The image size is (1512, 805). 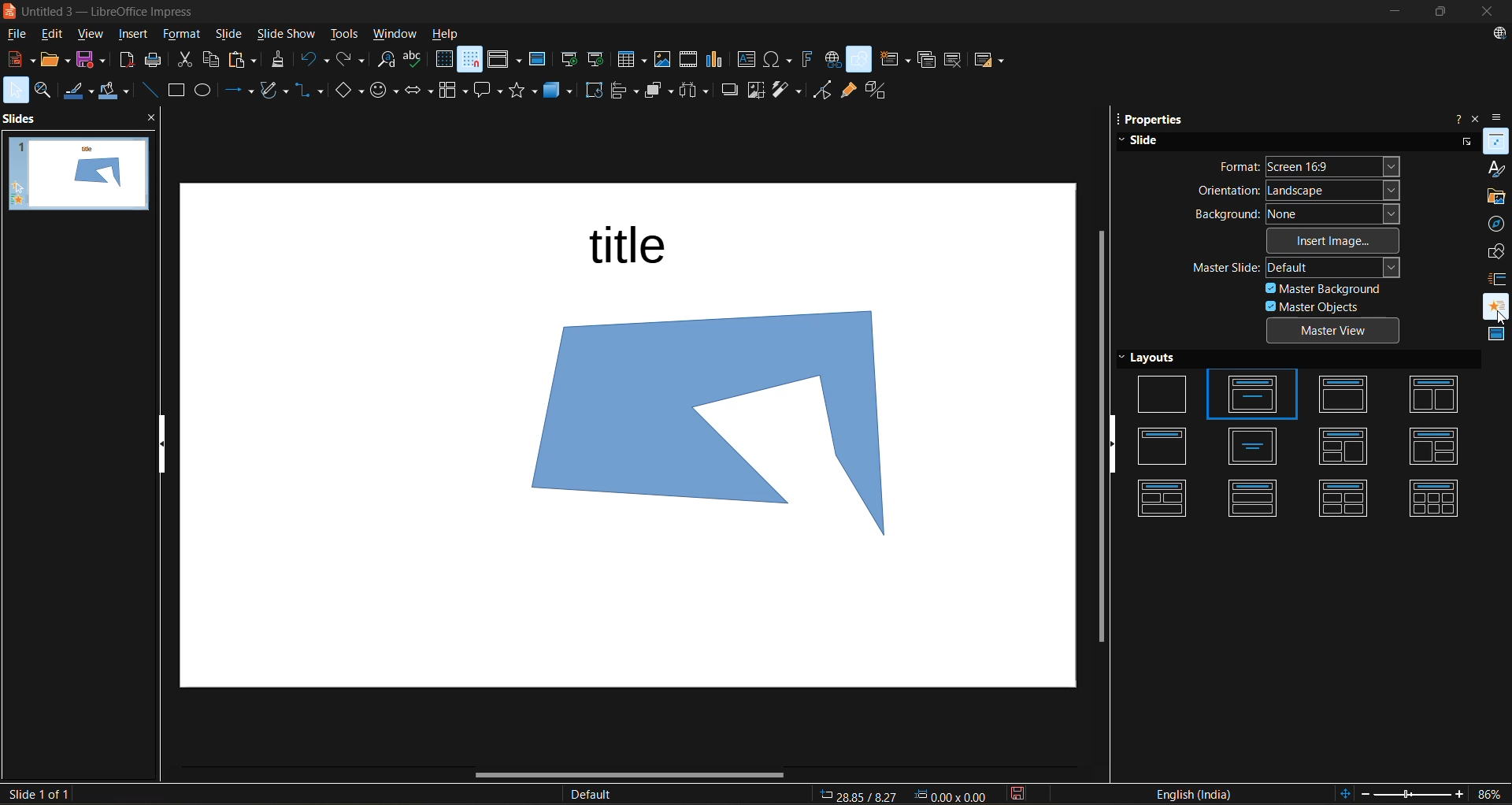 I want to click on orientations, so click(x=1299, y=191).